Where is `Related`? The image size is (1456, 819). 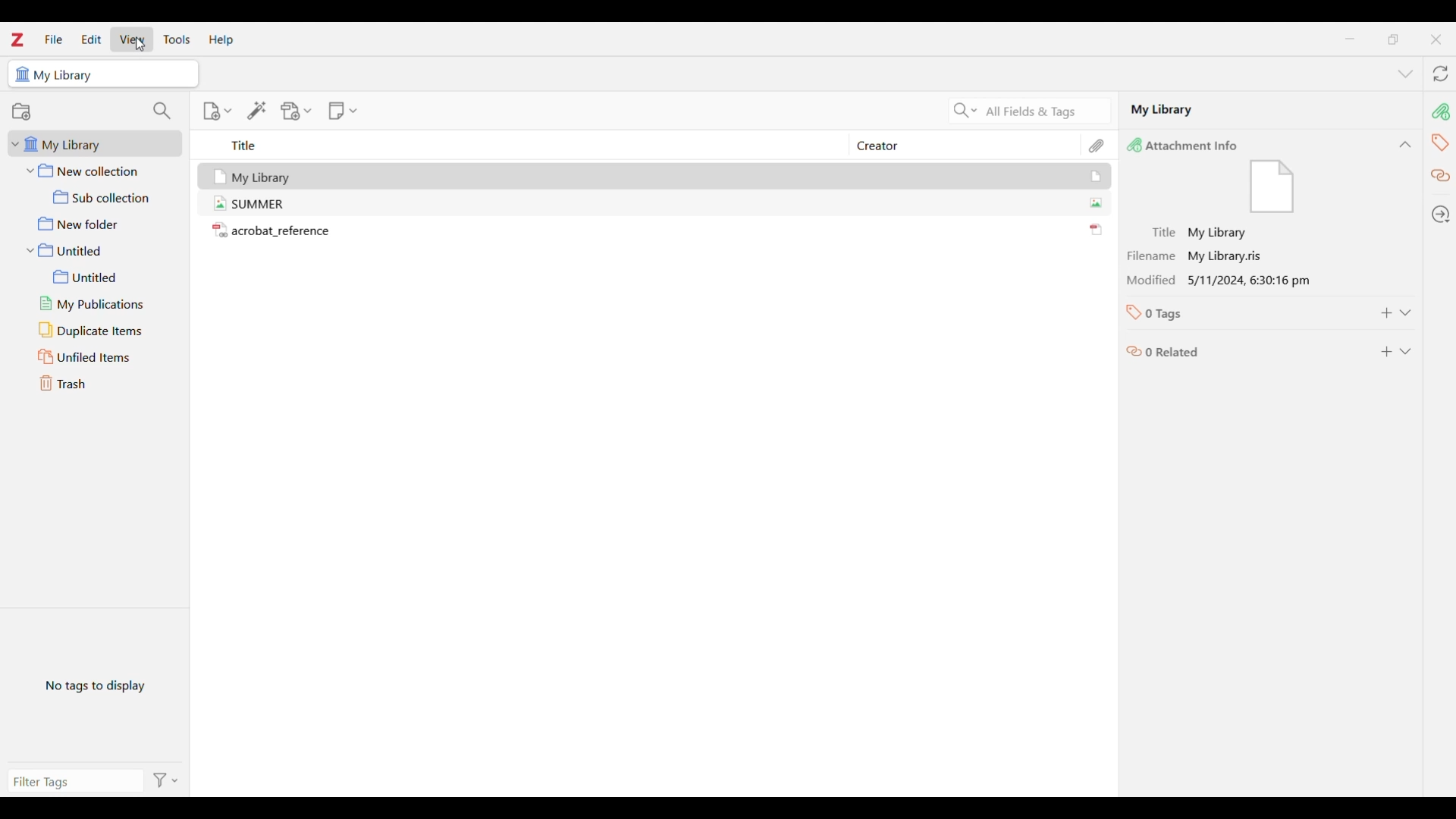 Related is located at coordinates (1163, 355).